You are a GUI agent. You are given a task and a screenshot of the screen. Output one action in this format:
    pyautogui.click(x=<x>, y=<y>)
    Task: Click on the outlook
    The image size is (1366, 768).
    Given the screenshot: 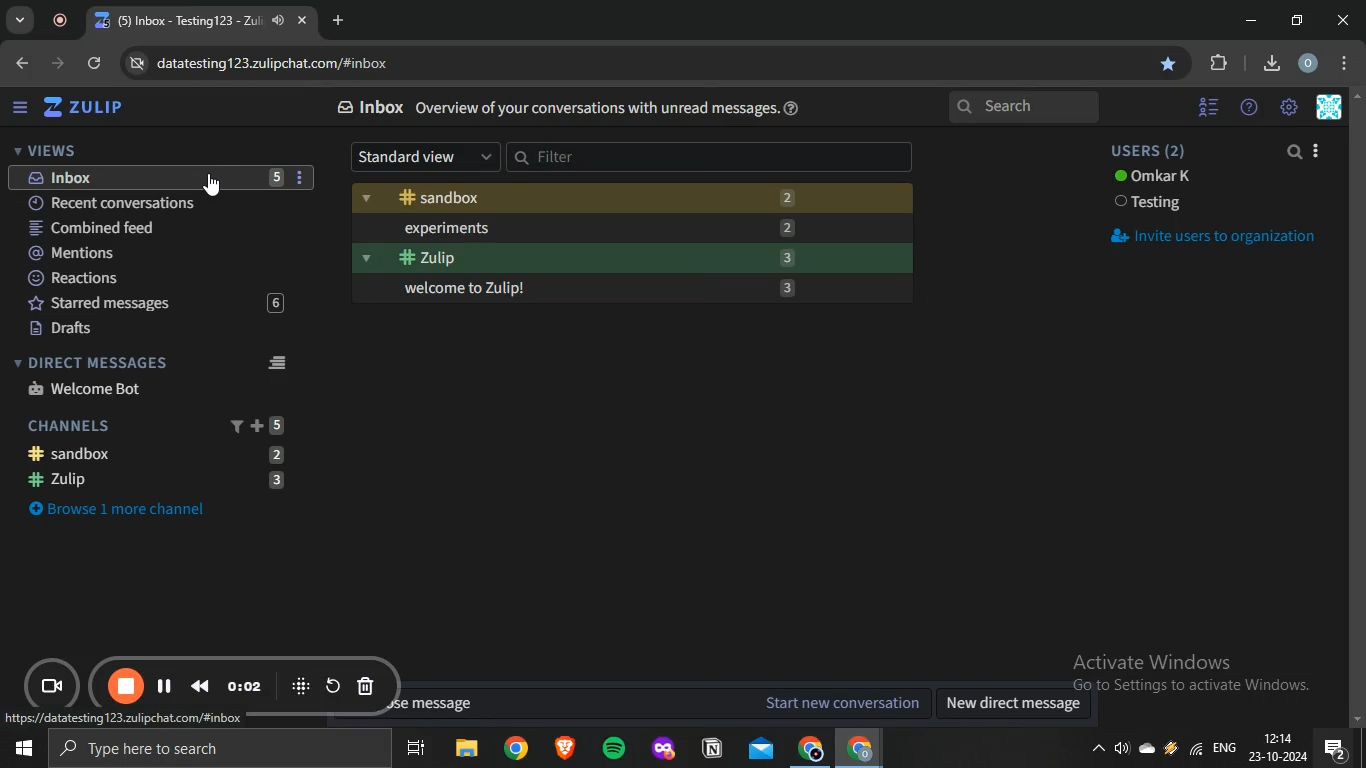 What is the action you would take?
    pyautogui.click(x=762, y=748)
    